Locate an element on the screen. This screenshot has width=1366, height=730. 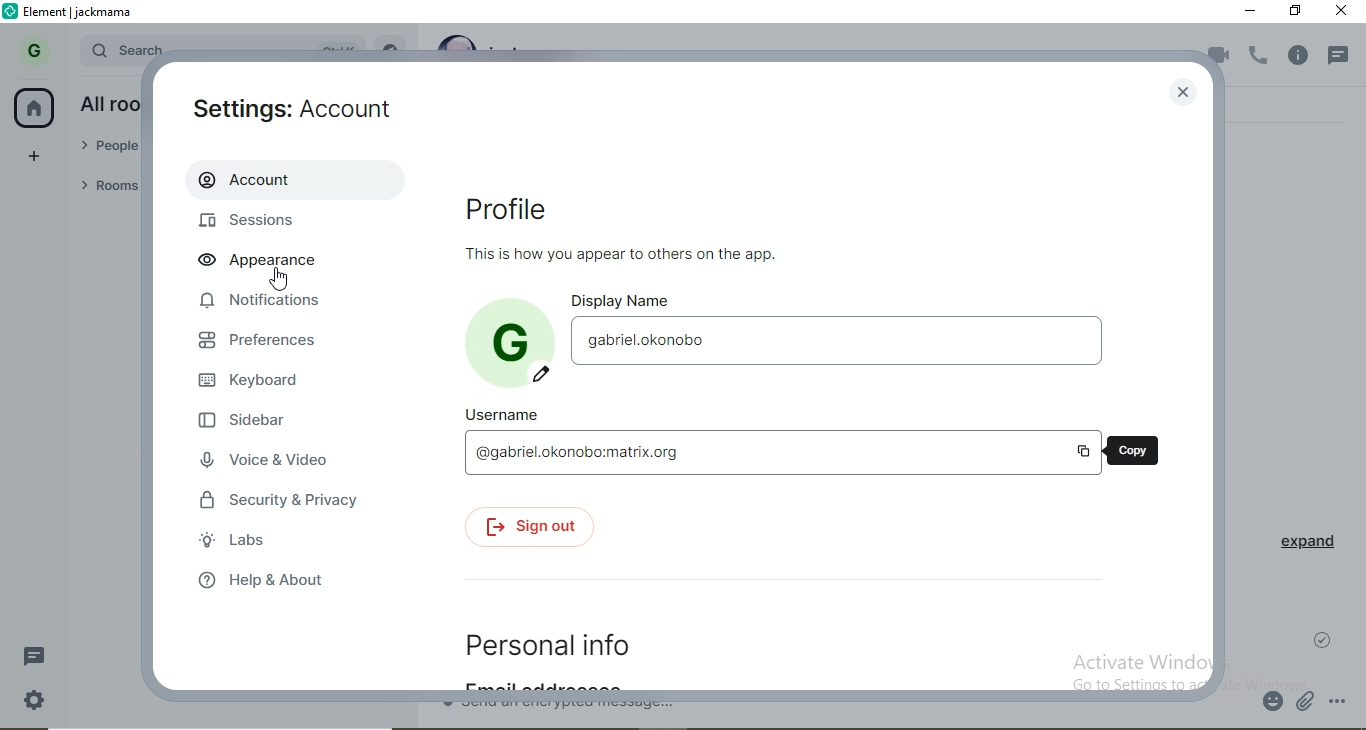
copy is located at coordinates (1086, 455).